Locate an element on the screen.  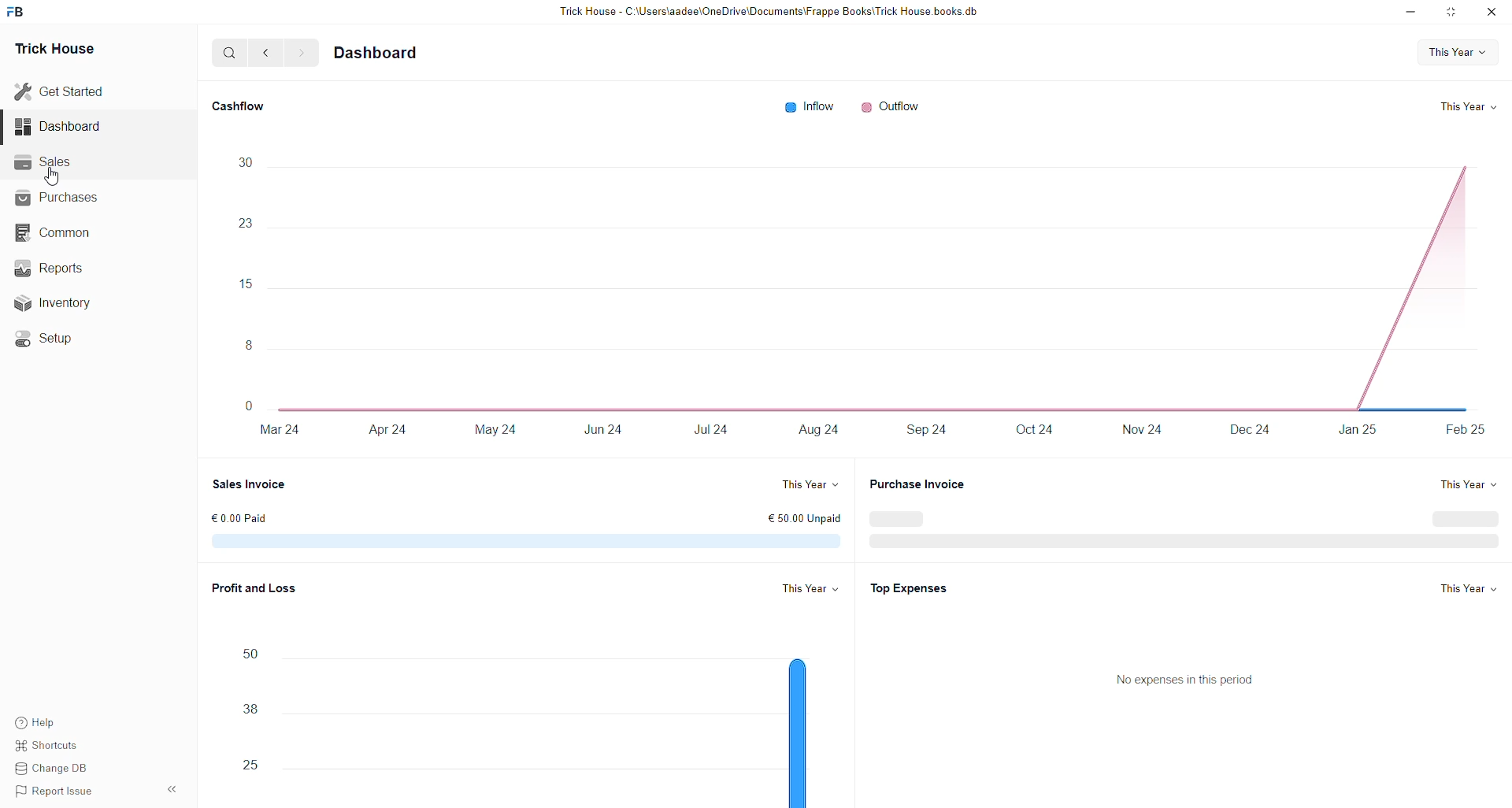
€ 50.00 Unpaid is located at coordinates (806, 519).